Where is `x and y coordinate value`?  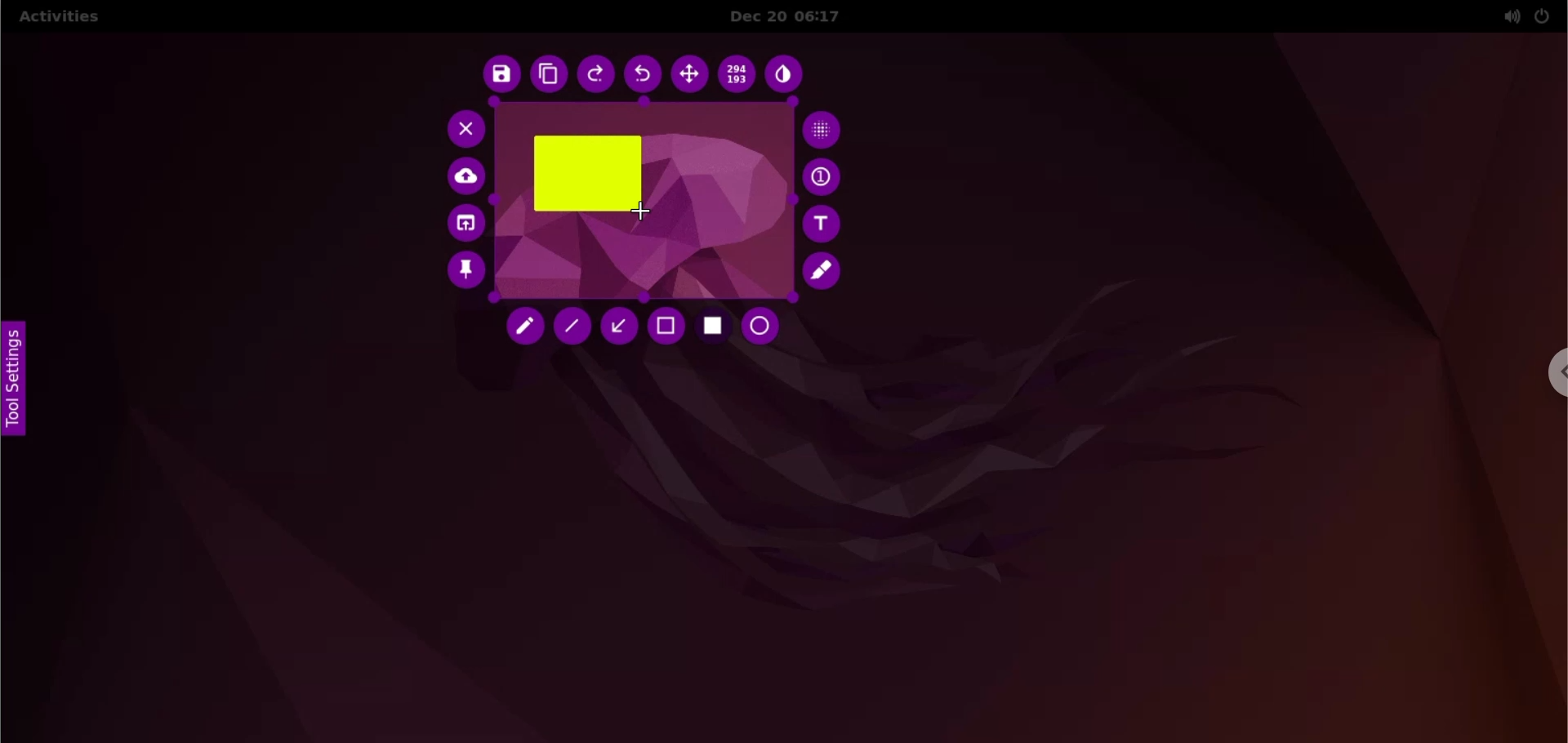
x and y coordinate value is located at coordinates (738, 77).